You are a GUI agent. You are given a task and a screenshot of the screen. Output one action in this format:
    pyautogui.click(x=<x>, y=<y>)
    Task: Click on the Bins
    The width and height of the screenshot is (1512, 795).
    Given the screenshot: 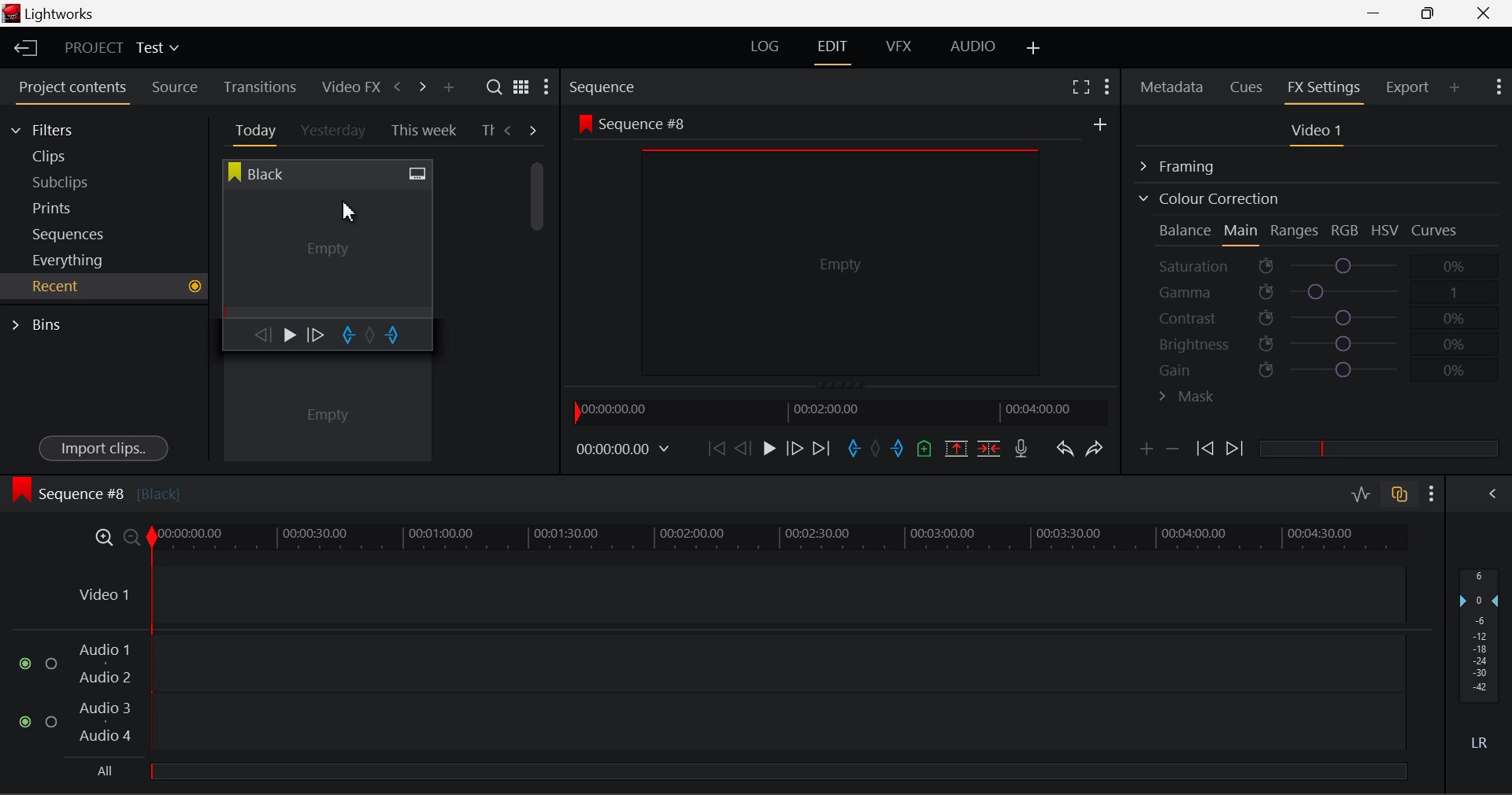 What is the action you would take?
    pyautogui.click(x=42, y=323)
    